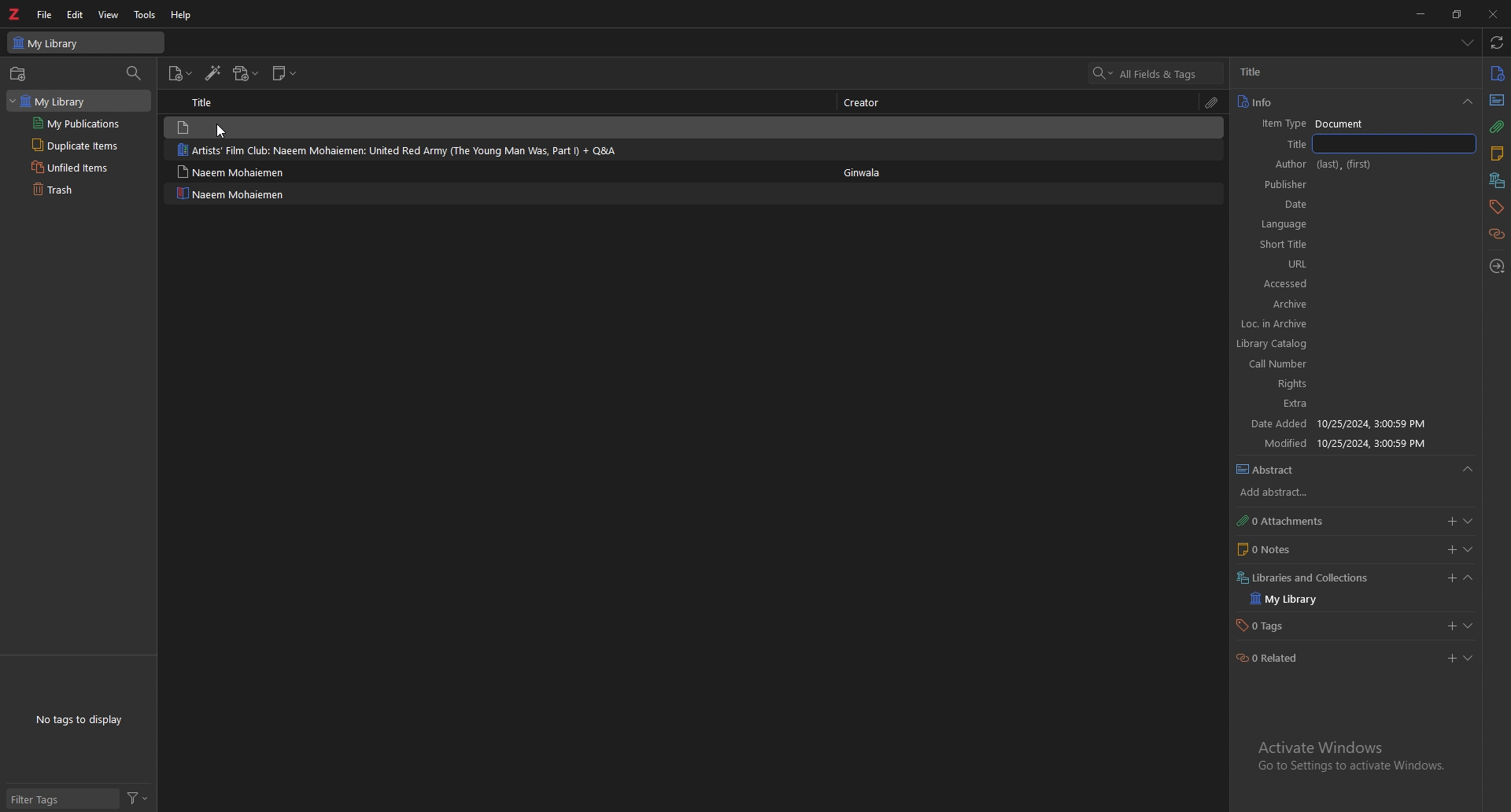 This screenshot has height=812, width=1511. I want to click on info, so click(1342, 102).